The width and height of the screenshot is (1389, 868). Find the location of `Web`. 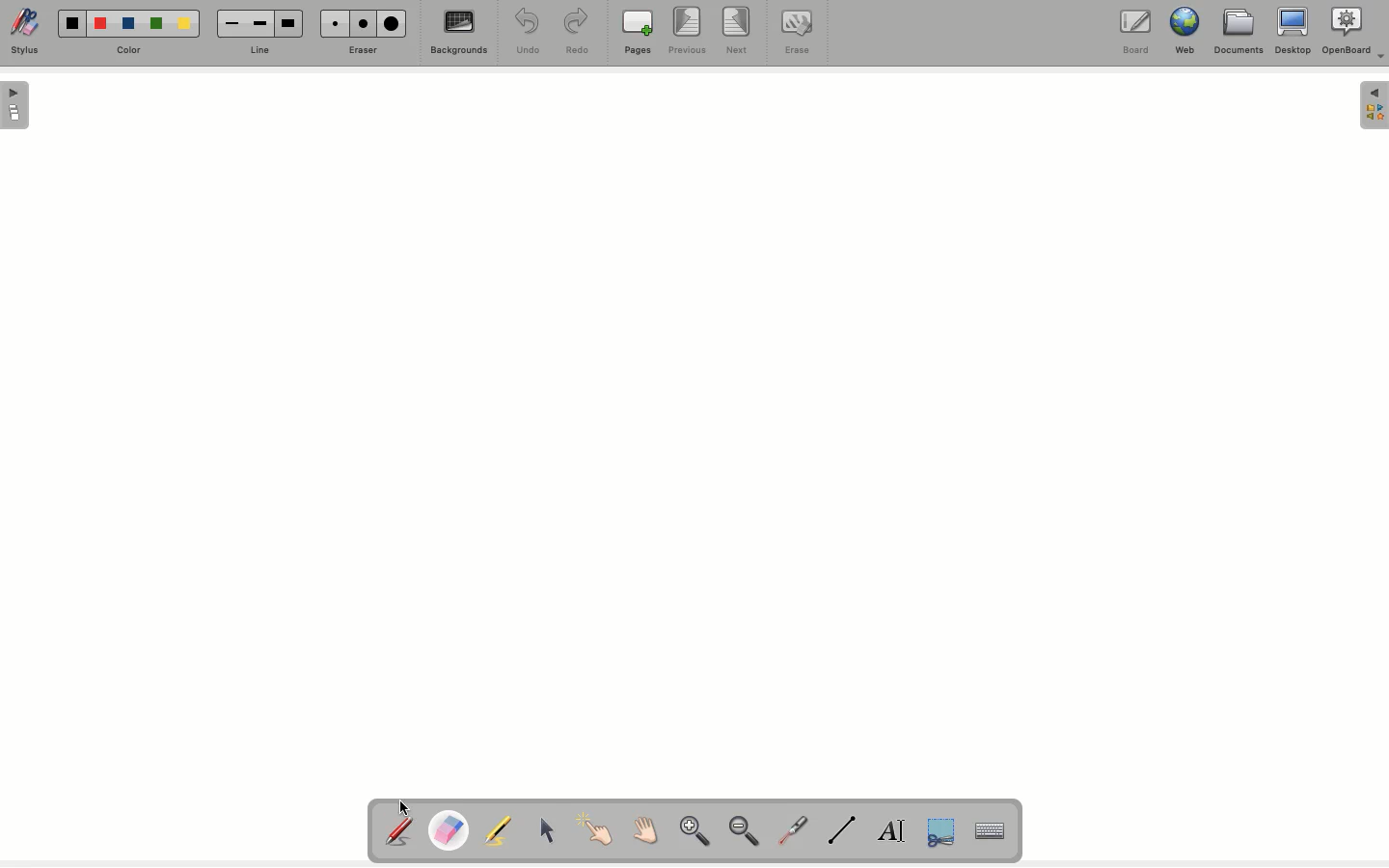

Web is located at coordinates (1187, 32).